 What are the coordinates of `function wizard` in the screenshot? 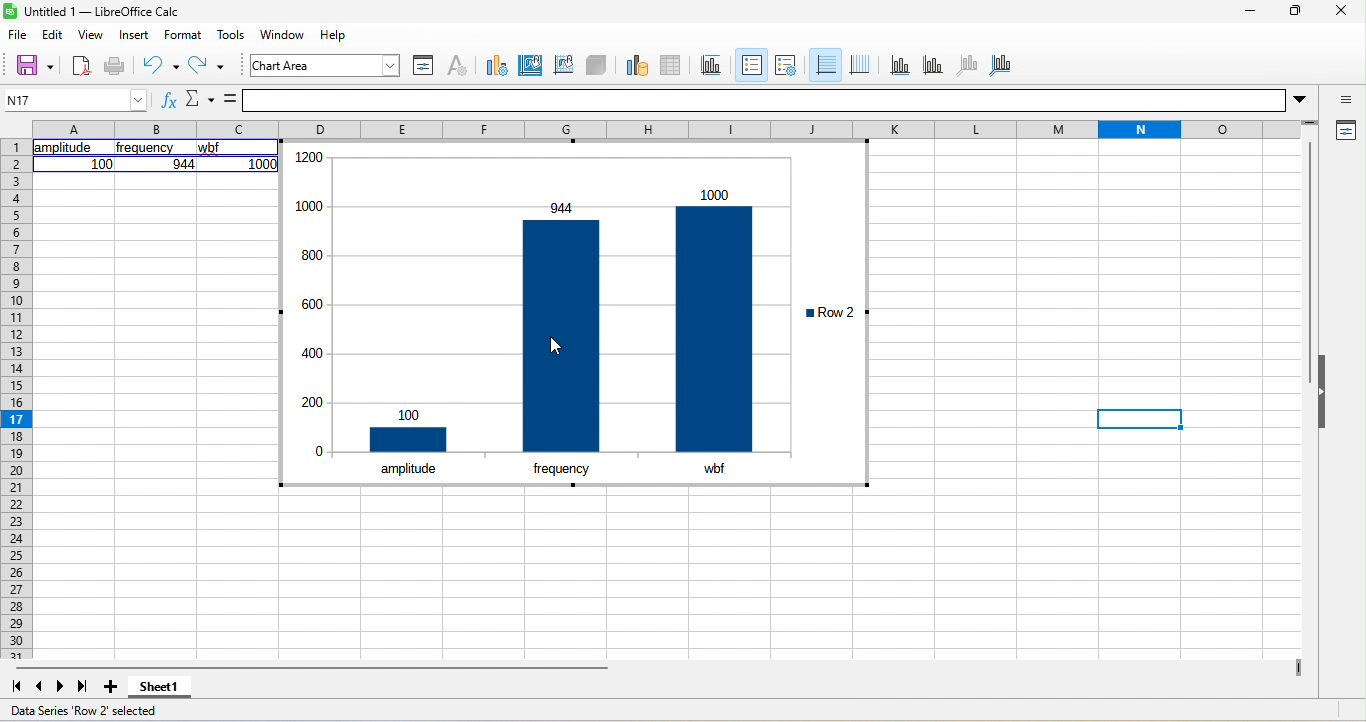 It's located at (164, 99).